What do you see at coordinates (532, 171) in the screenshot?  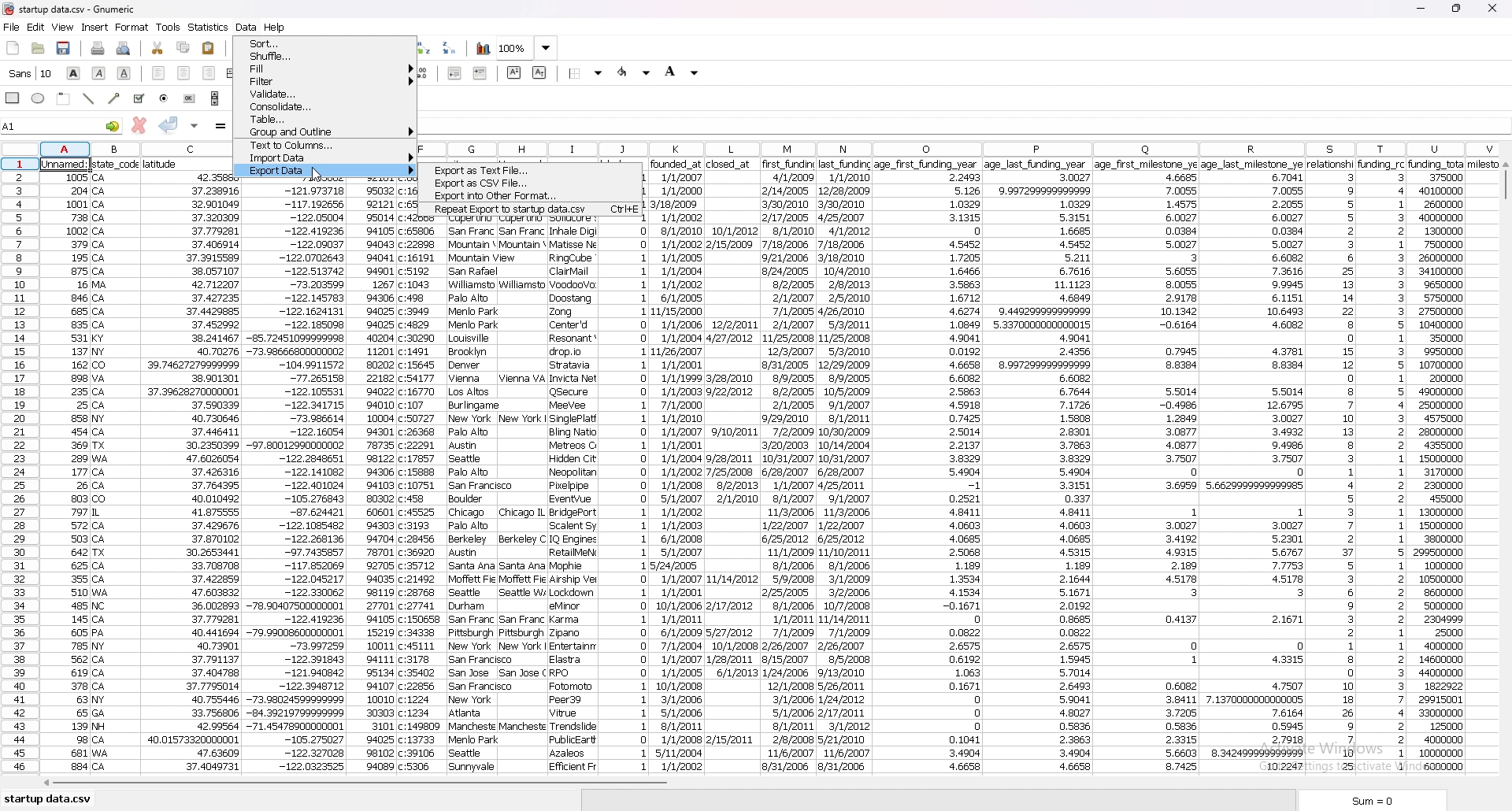 I see `export as text file` at bounding box center [532, 171].